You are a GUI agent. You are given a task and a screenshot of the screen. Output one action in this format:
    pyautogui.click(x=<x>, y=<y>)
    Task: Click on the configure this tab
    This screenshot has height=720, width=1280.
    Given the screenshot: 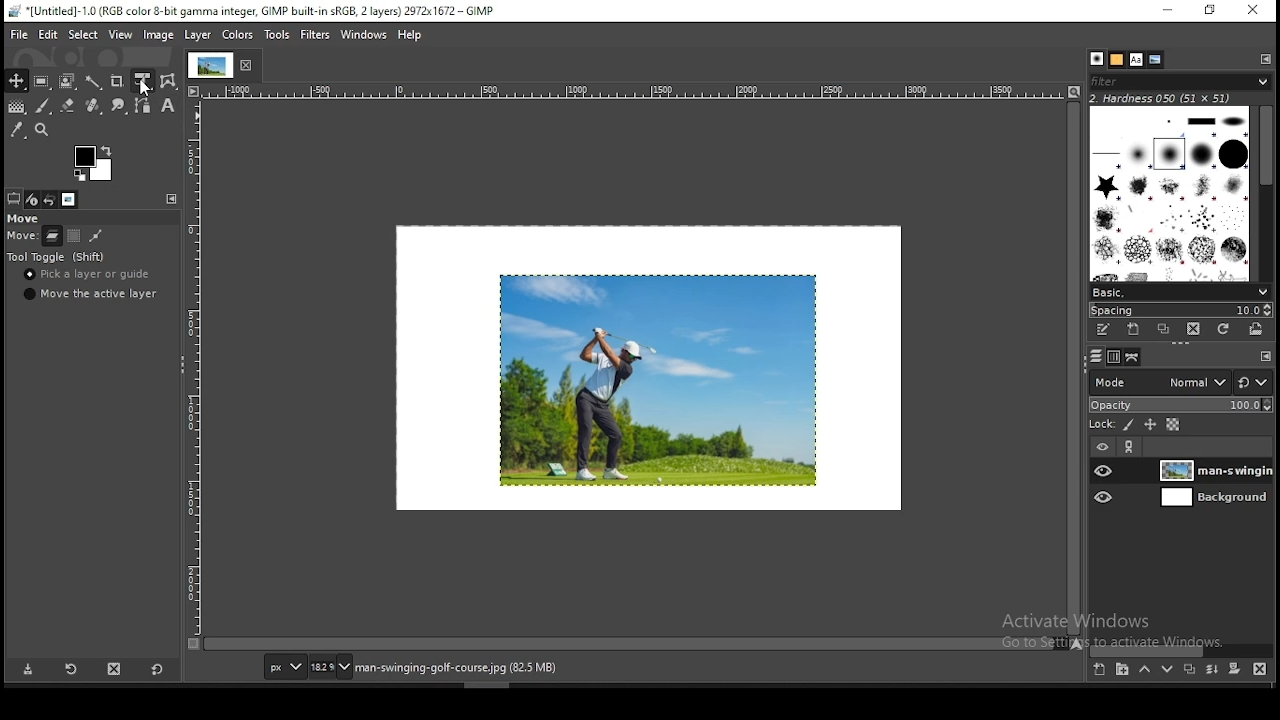 What is the action you would take?
    pyautogui.click(x=1267, y=59)
    